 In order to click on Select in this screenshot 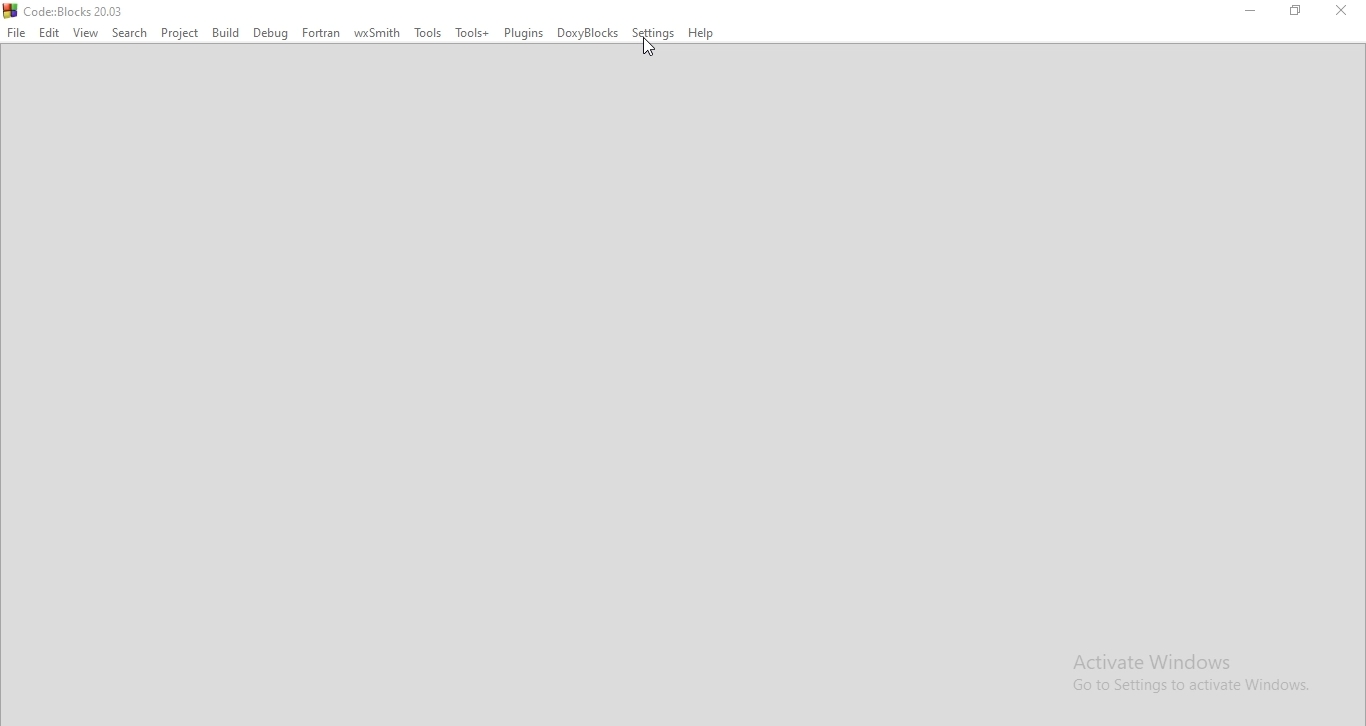, I will do `click(132, 35)`.